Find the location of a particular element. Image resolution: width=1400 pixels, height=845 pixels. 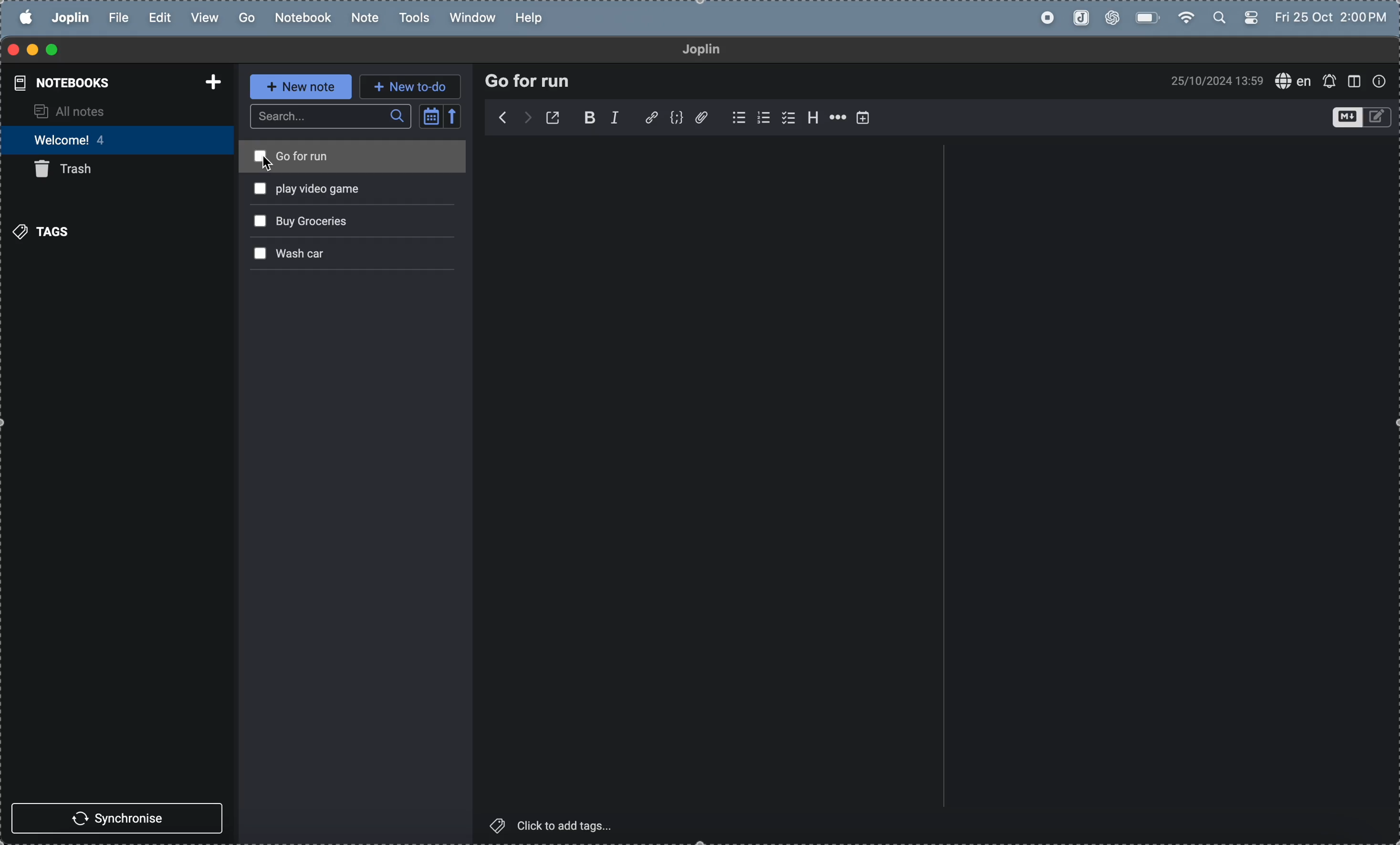

check cox is located at coordinates (255, 189).